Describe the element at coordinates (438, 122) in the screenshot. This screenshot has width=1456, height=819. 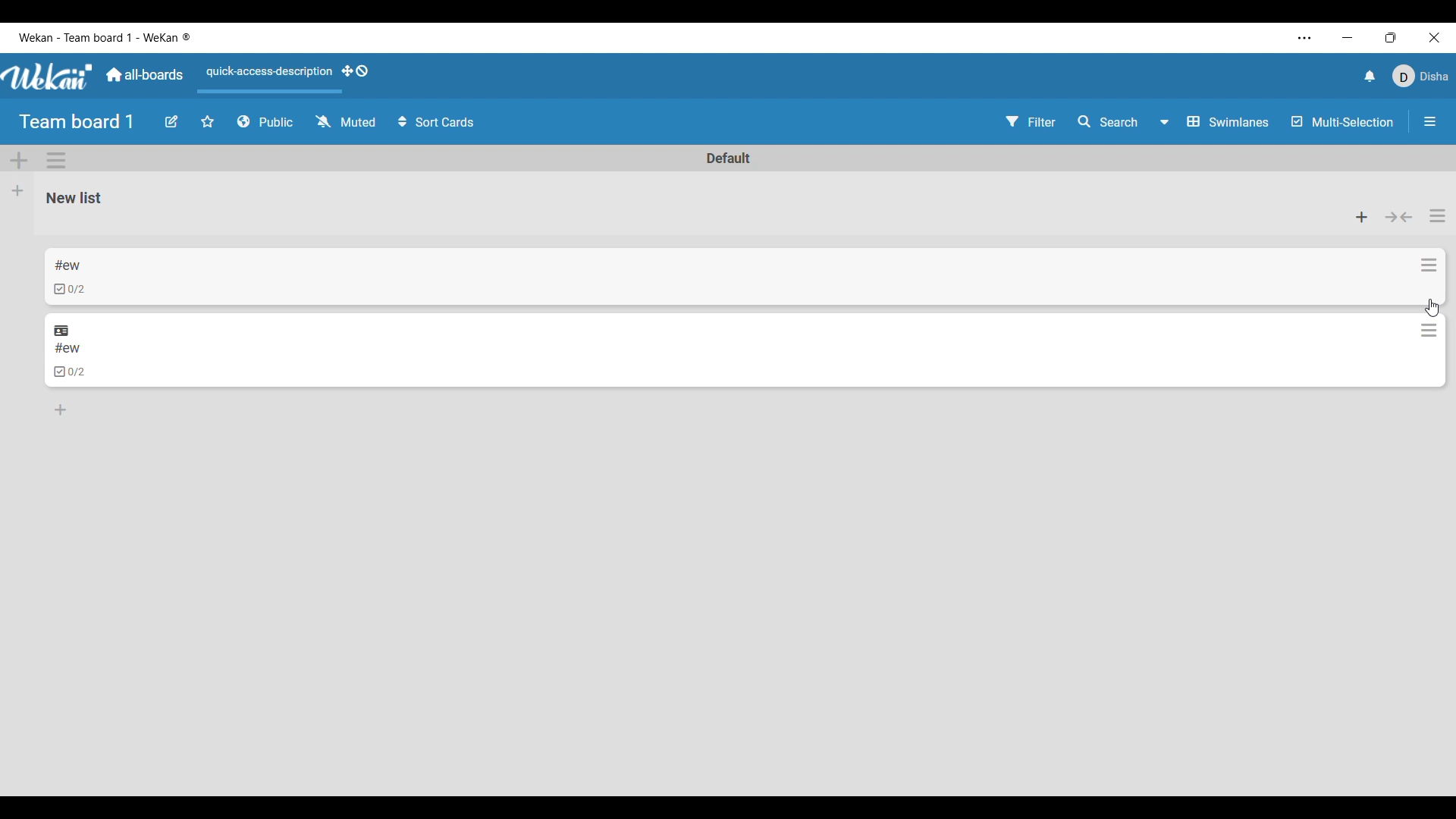
I see `Sort cards` at that location.